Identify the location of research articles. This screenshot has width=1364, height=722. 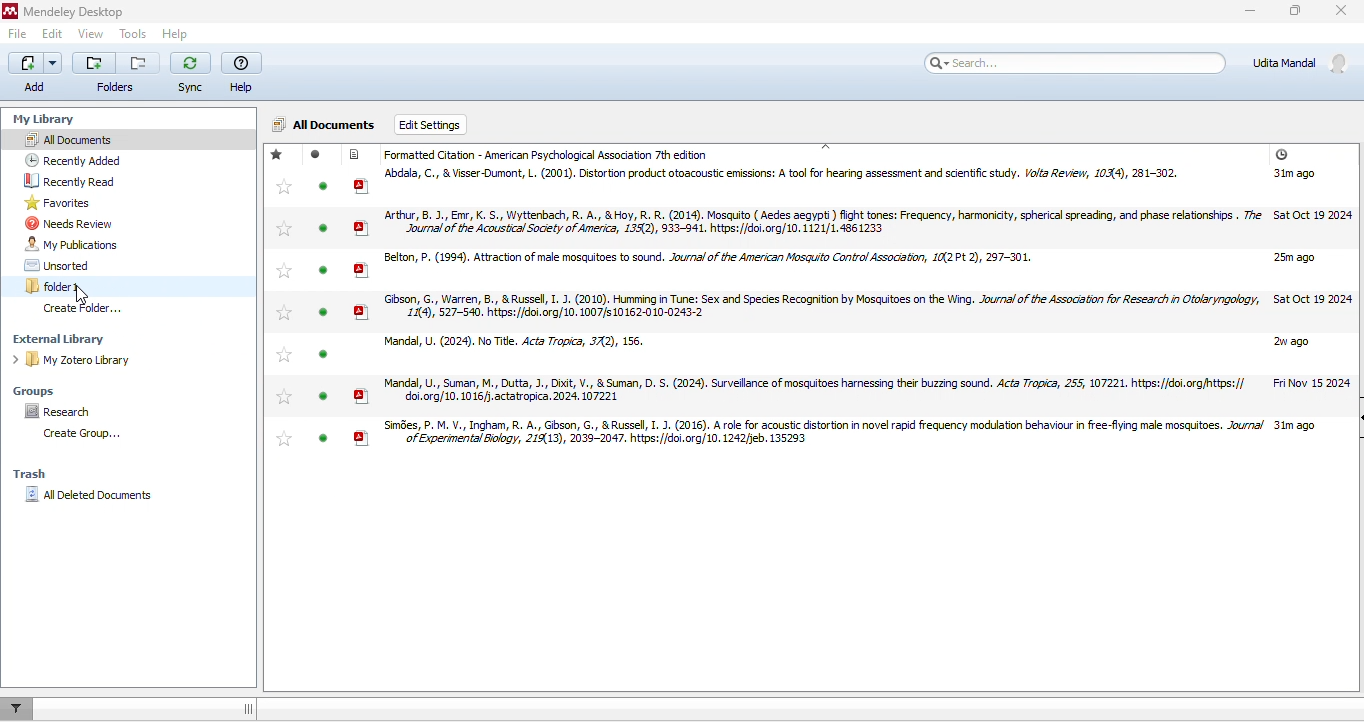
(851, 312).